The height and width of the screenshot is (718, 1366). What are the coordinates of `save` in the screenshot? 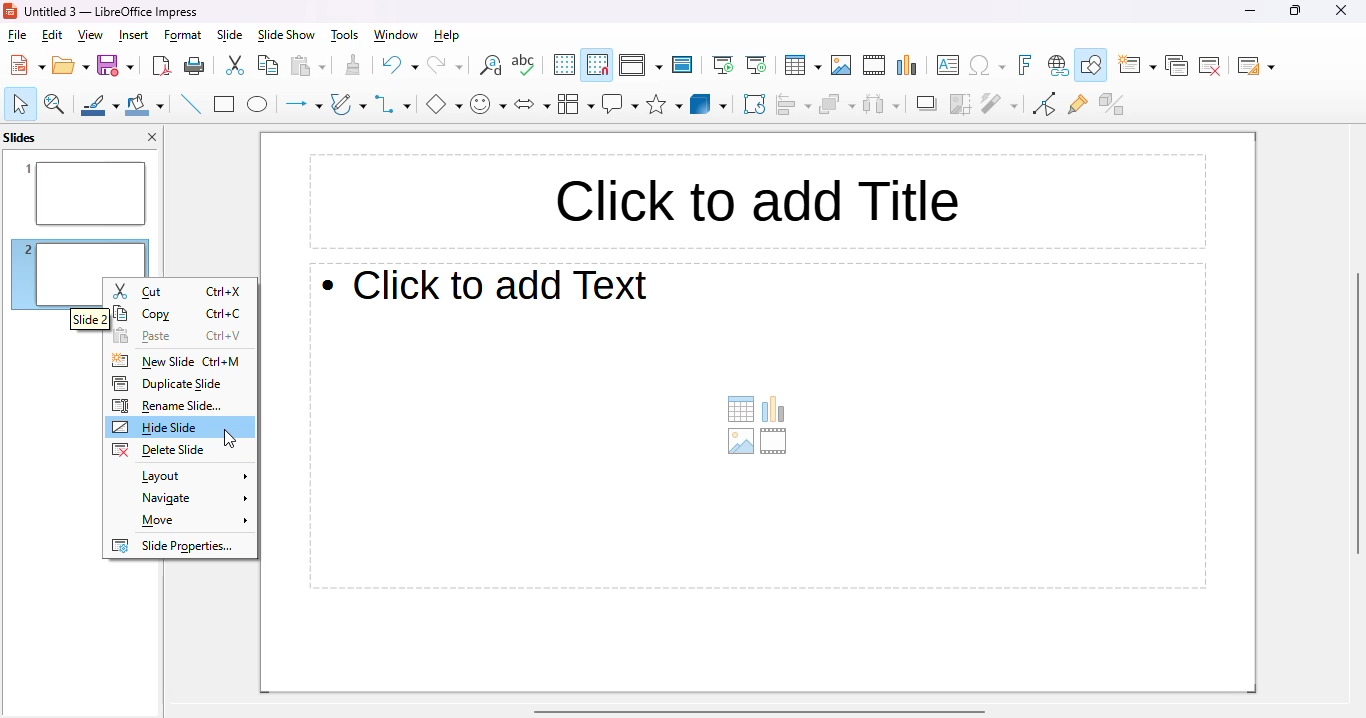 It's located at (115, 65).